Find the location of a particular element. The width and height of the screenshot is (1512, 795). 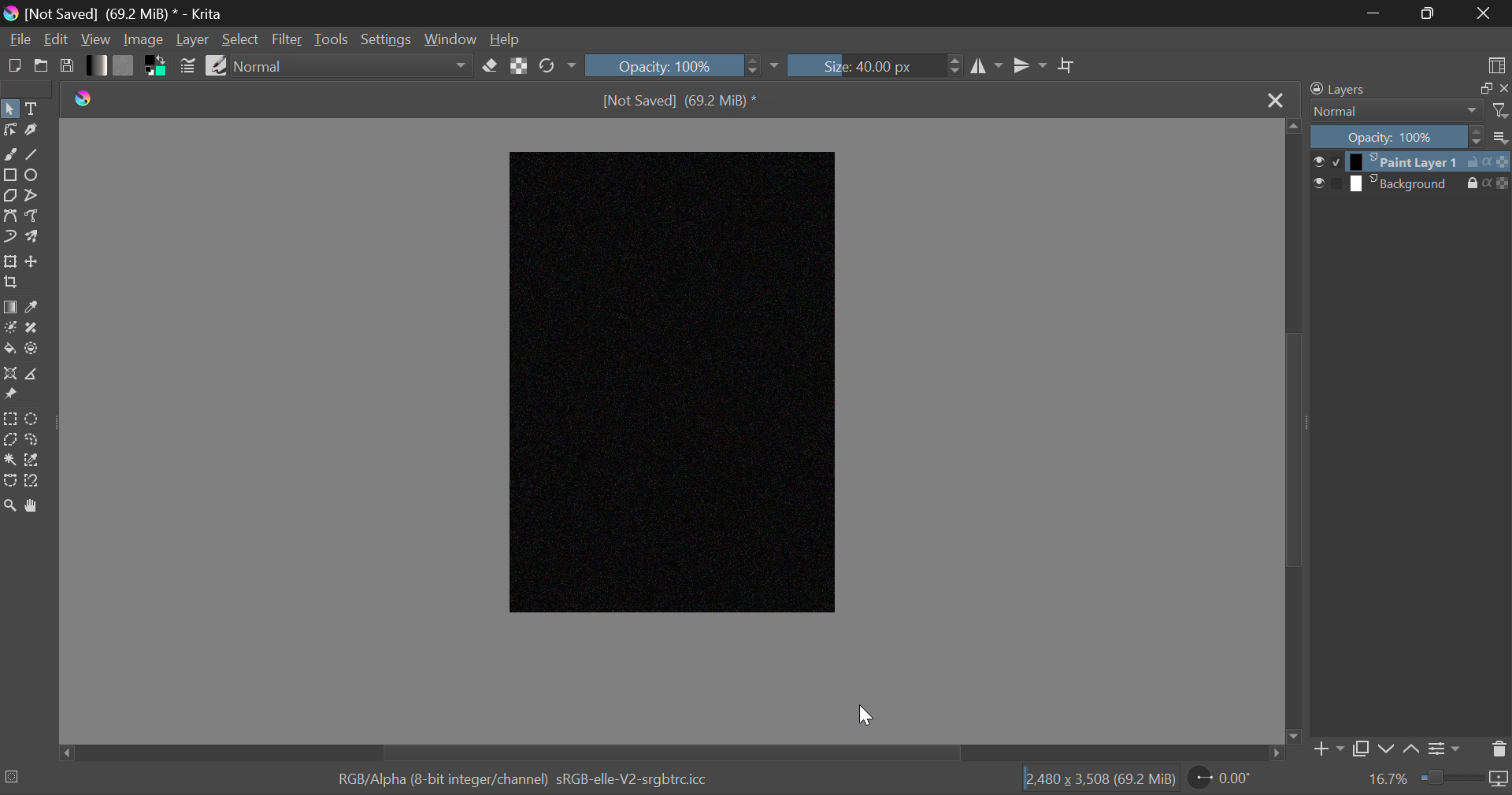

Fill is located at coordinates (9, 348).